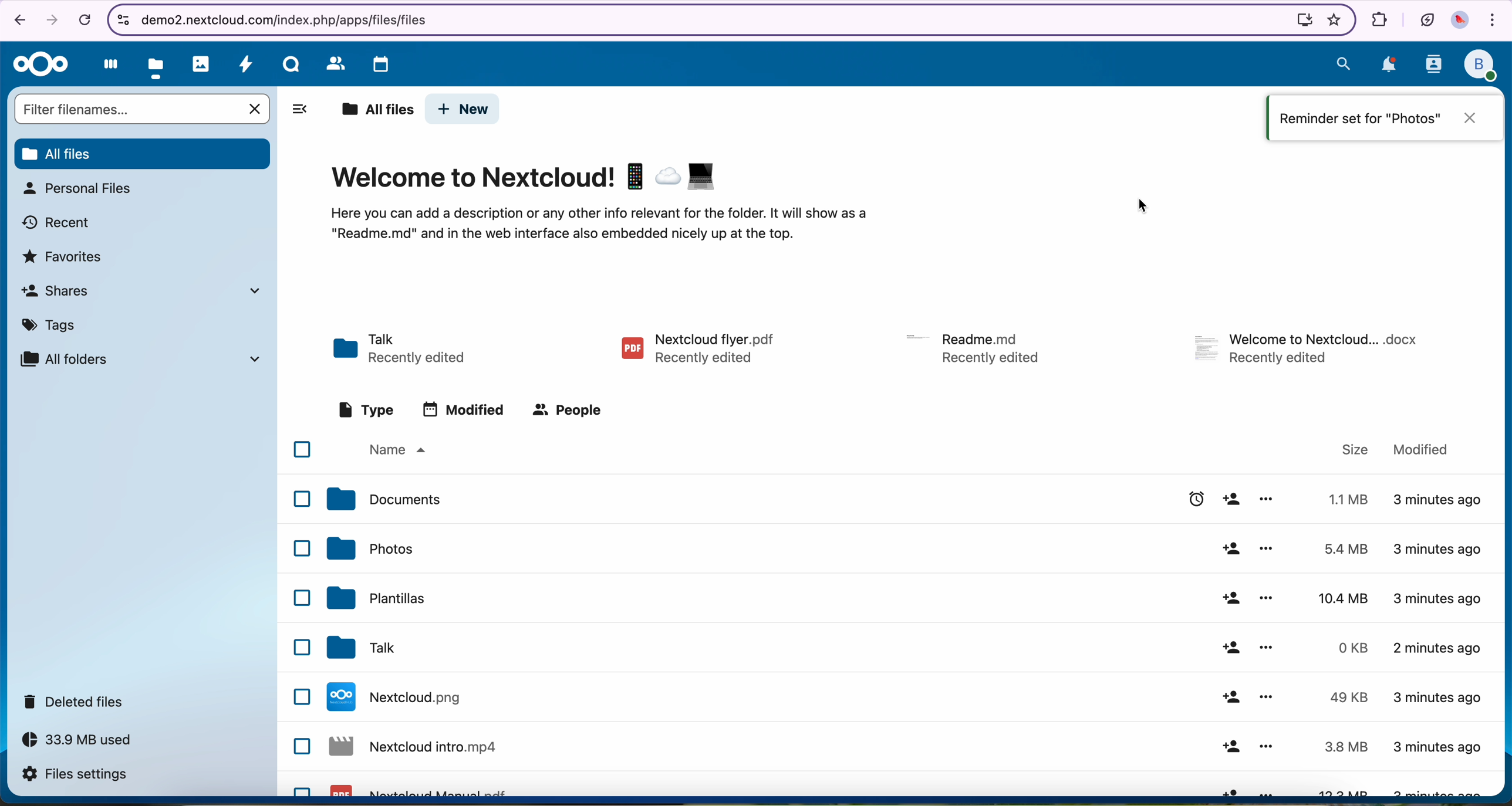 Image resolution: width=1512 pixels, height=806 pixels. I want to click on search, so click(1342, 63).